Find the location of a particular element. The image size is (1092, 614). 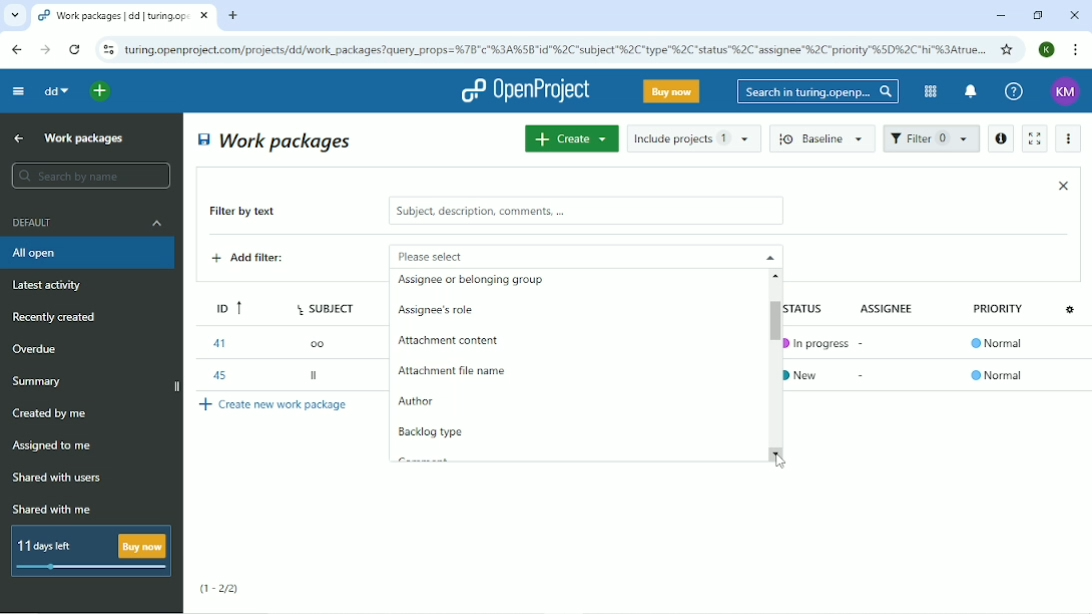

Search by name is located at coordinates (90, 176).